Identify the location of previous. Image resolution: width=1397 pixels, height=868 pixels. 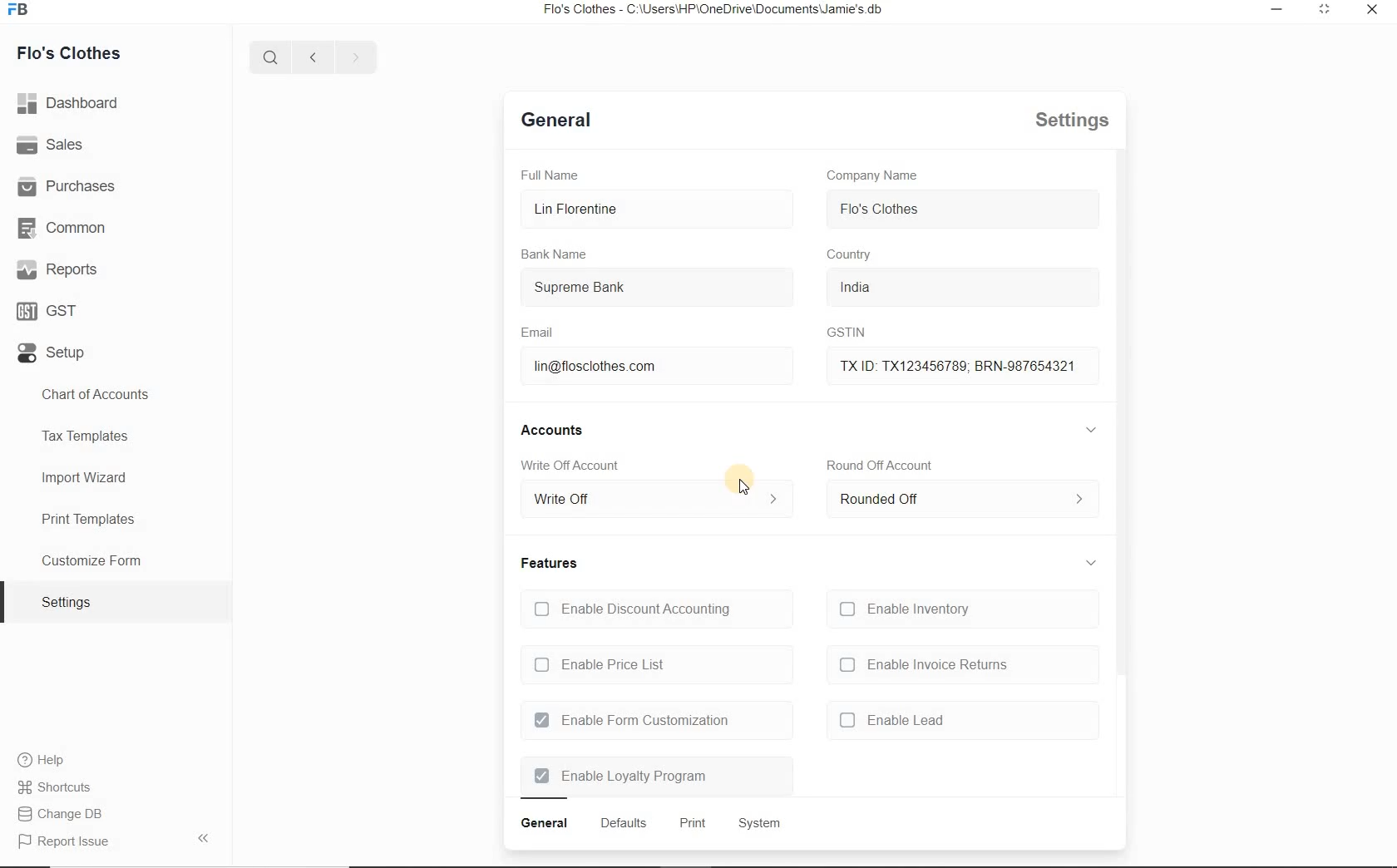
(311, 57).